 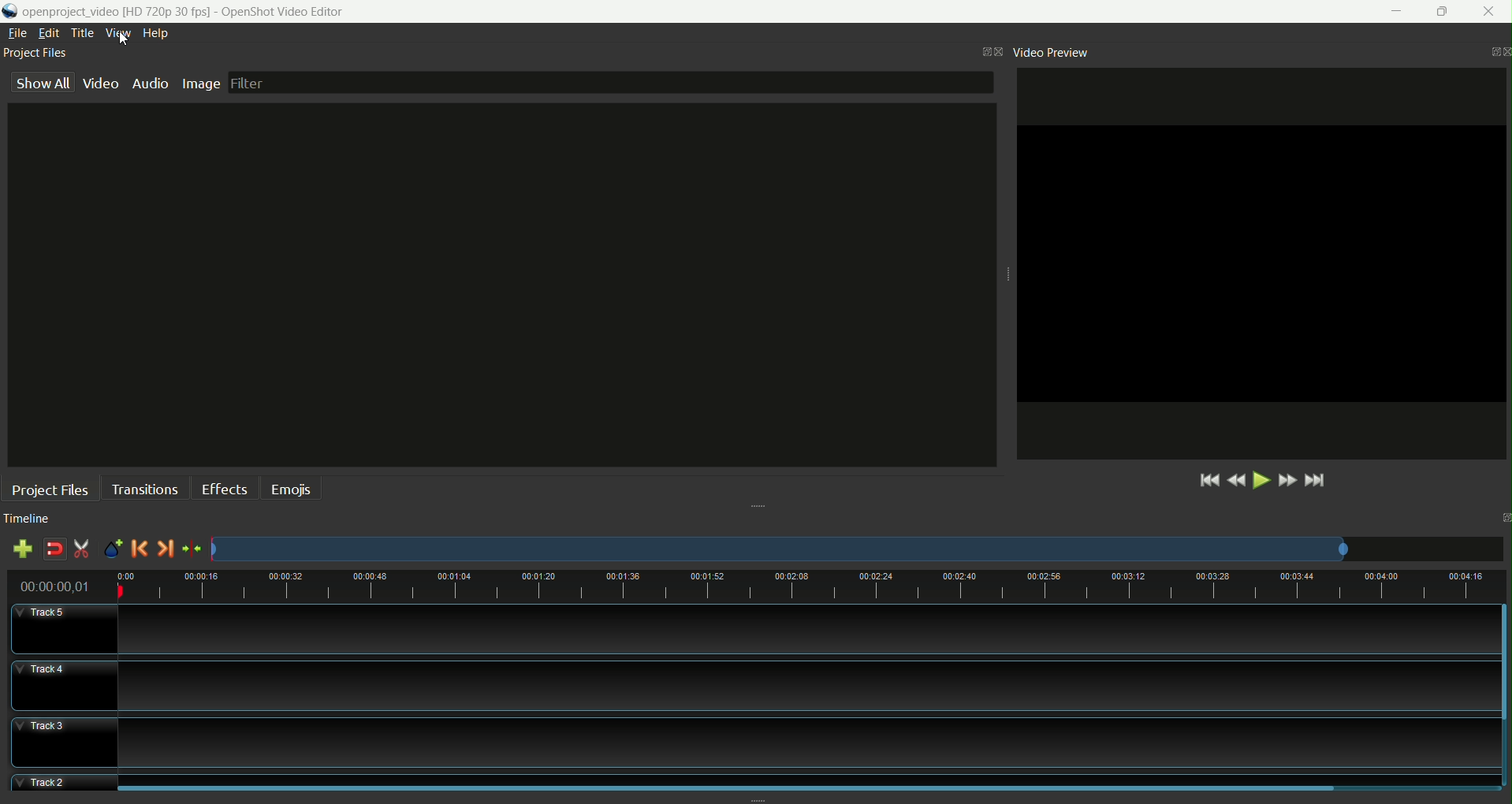 What do you see at coordinates (758, 739) in the screenshot?
I see `track3` at bounding box center [758, 739].